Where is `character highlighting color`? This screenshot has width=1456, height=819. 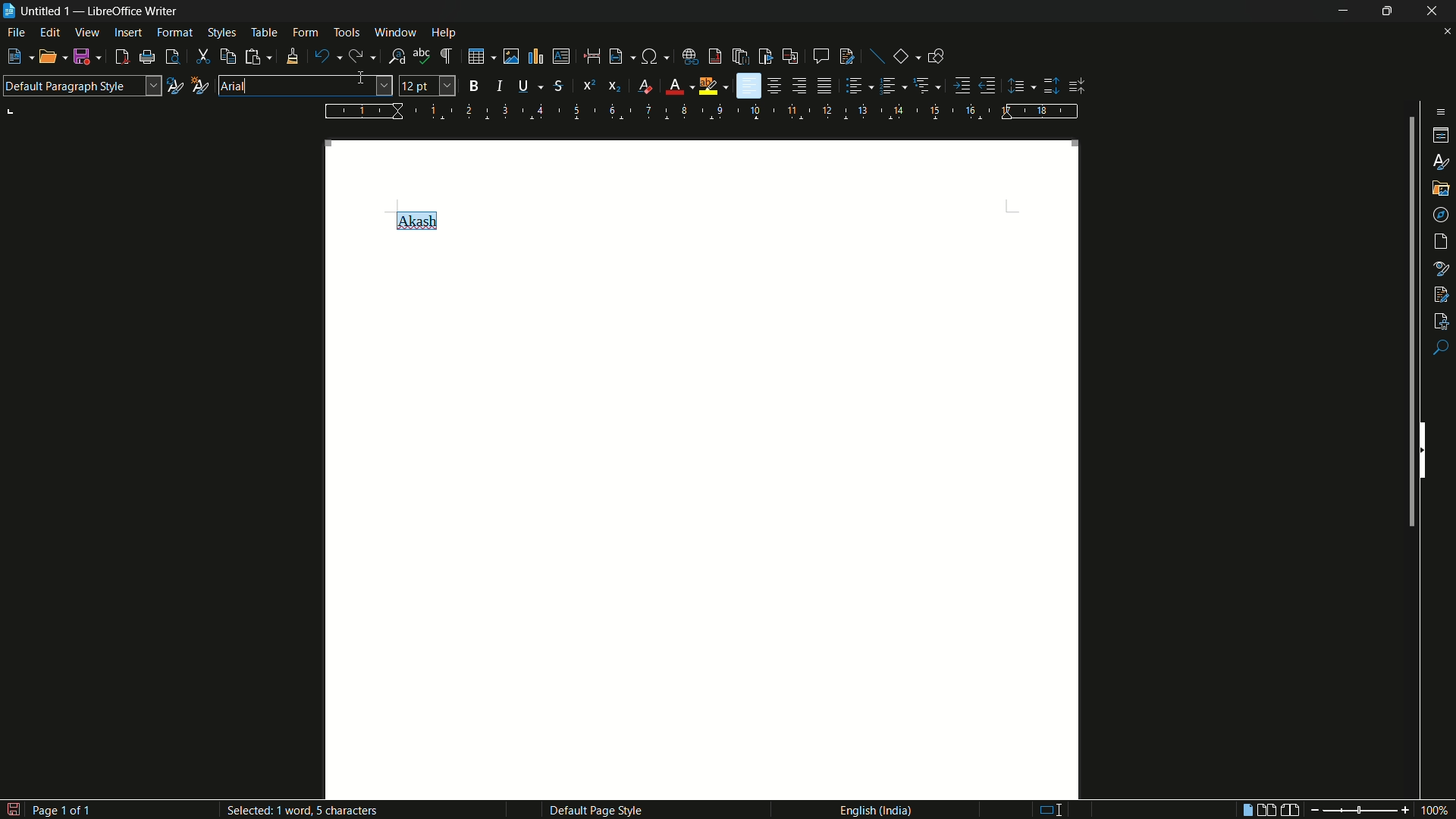 character highlighting color is located at coordinates (708, 86).